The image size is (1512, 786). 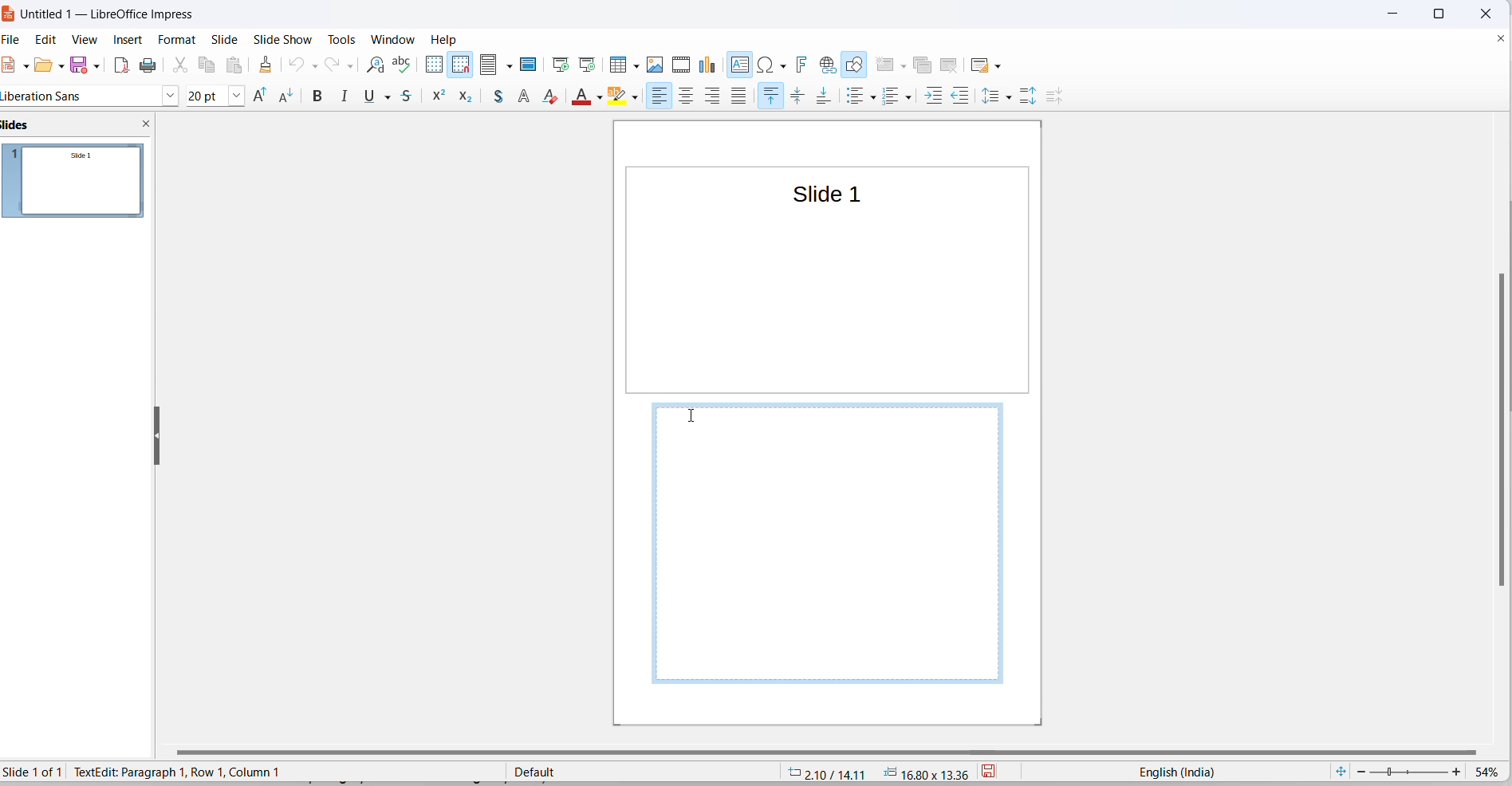 What do you see at coordinates (1444, 14) in the screenshot?
I see `maximize` at bounding box center [1444, 14].